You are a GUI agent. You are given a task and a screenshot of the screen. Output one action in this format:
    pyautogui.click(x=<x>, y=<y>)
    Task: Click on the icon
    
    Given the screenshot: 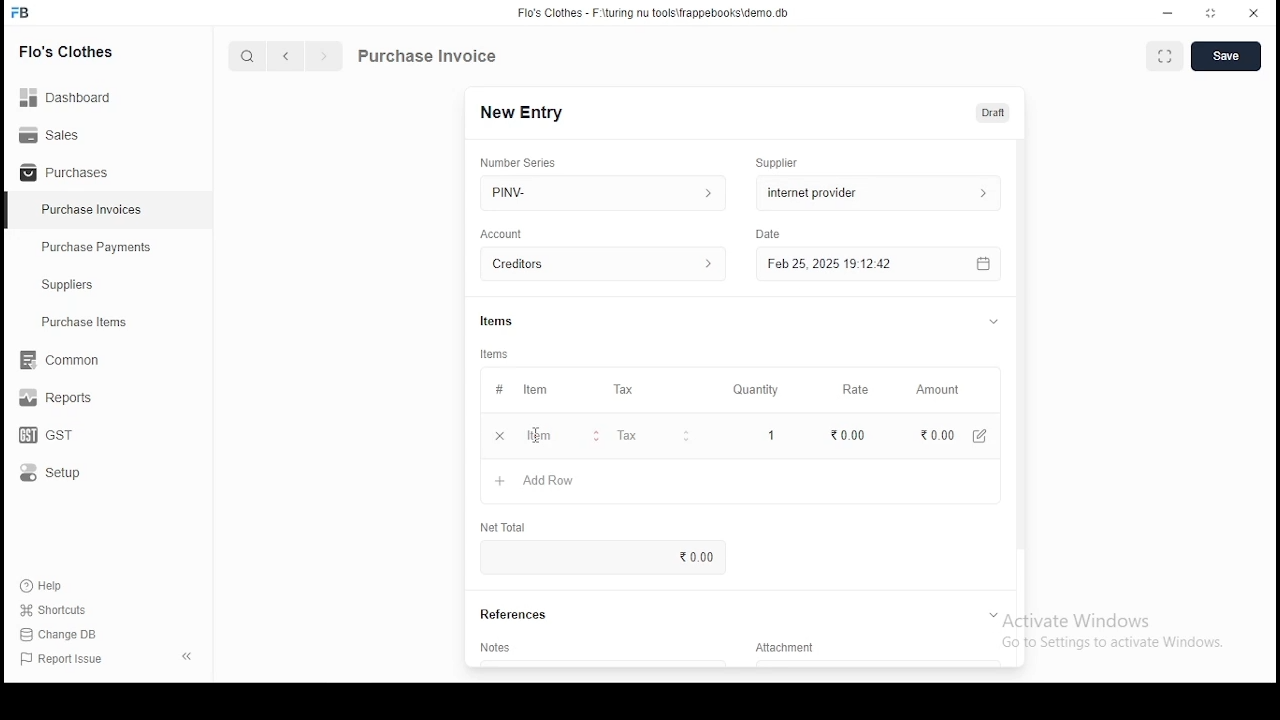 What is the action you would take?
    pyautogui.click(x=21, y=13)
    